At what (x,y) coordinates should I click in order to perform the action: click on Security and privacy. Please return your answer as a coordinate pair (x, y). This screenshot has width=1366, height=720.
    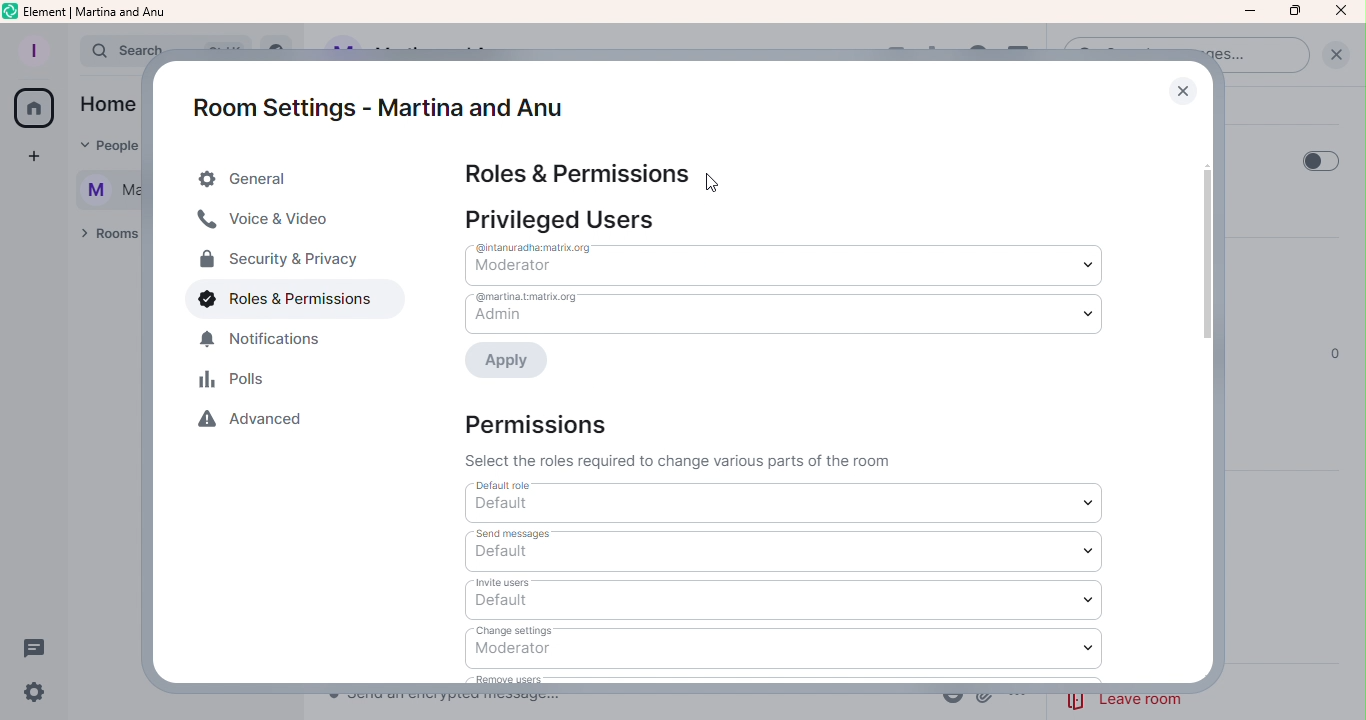
    Looking at the image, I should click on (278, 262).